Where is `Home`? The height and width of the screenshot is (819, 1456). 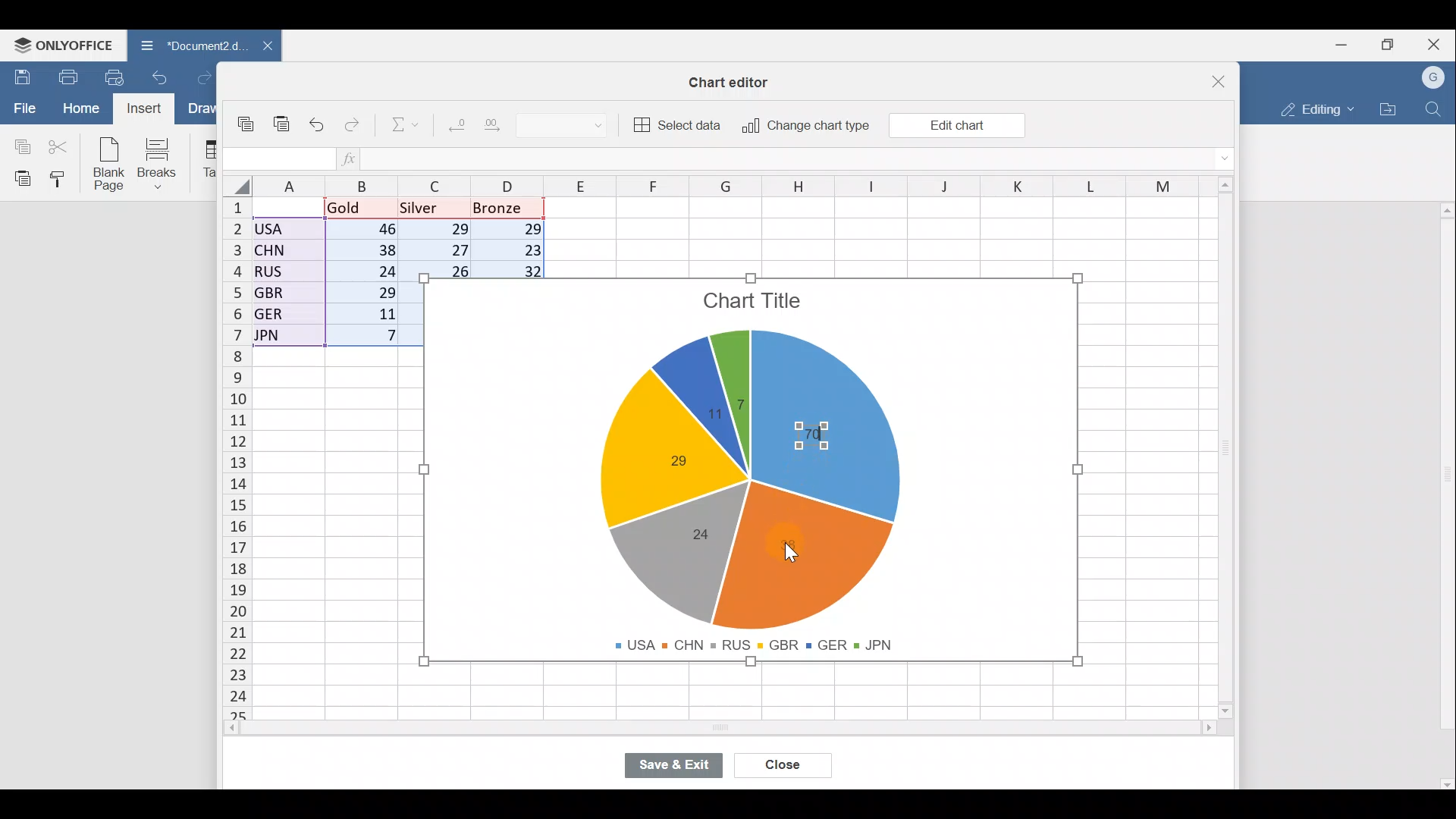
Home is located at coordinates (80, 108).